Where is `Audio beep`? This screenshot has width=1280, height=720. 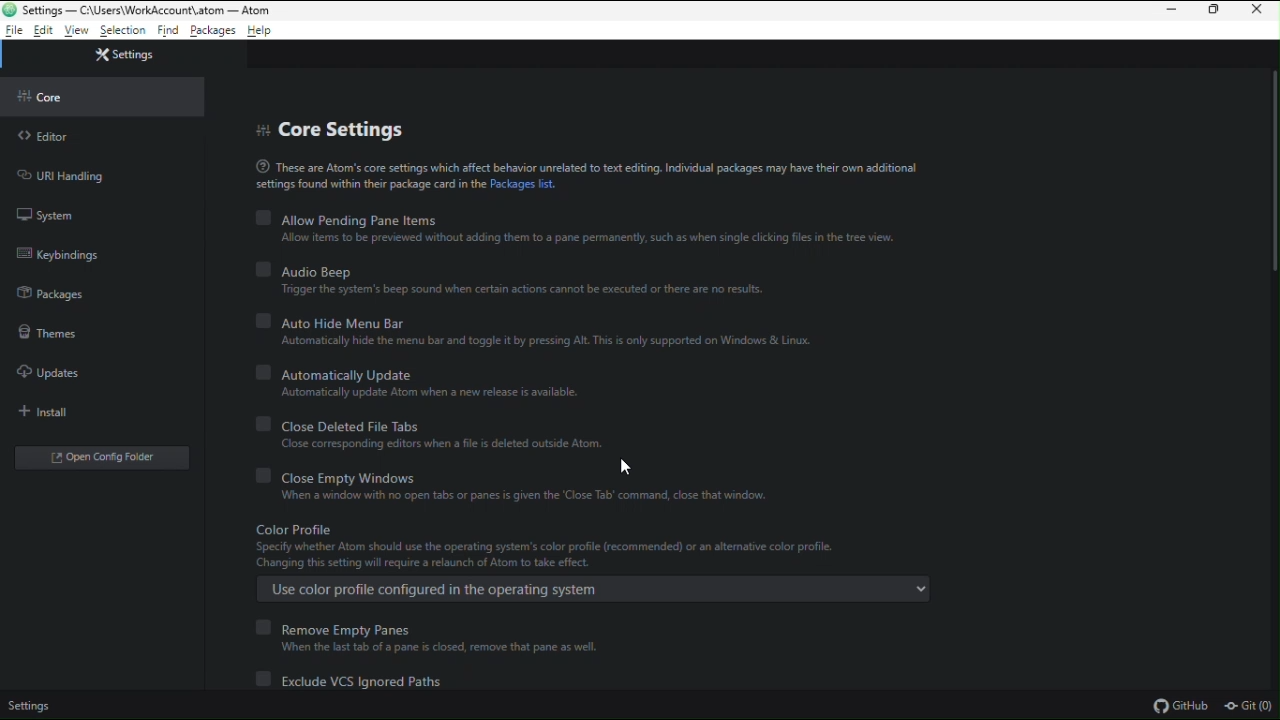
Audio beep is located at coordinates (521, 281).